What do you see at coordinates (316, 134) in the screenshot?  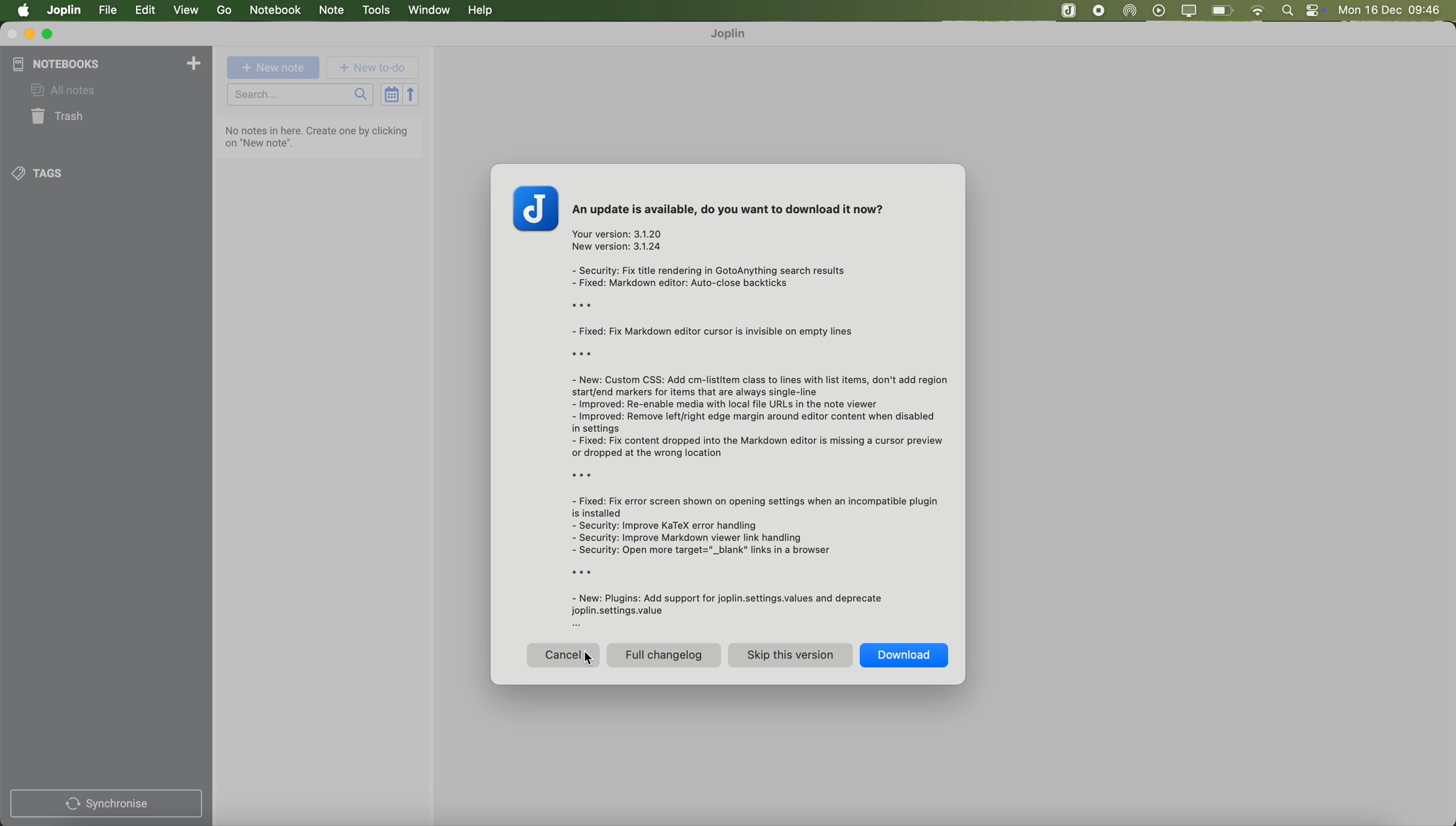 I see `No notes in here. Create one by clicking
on "New note".` at bounding box center [316, 134].